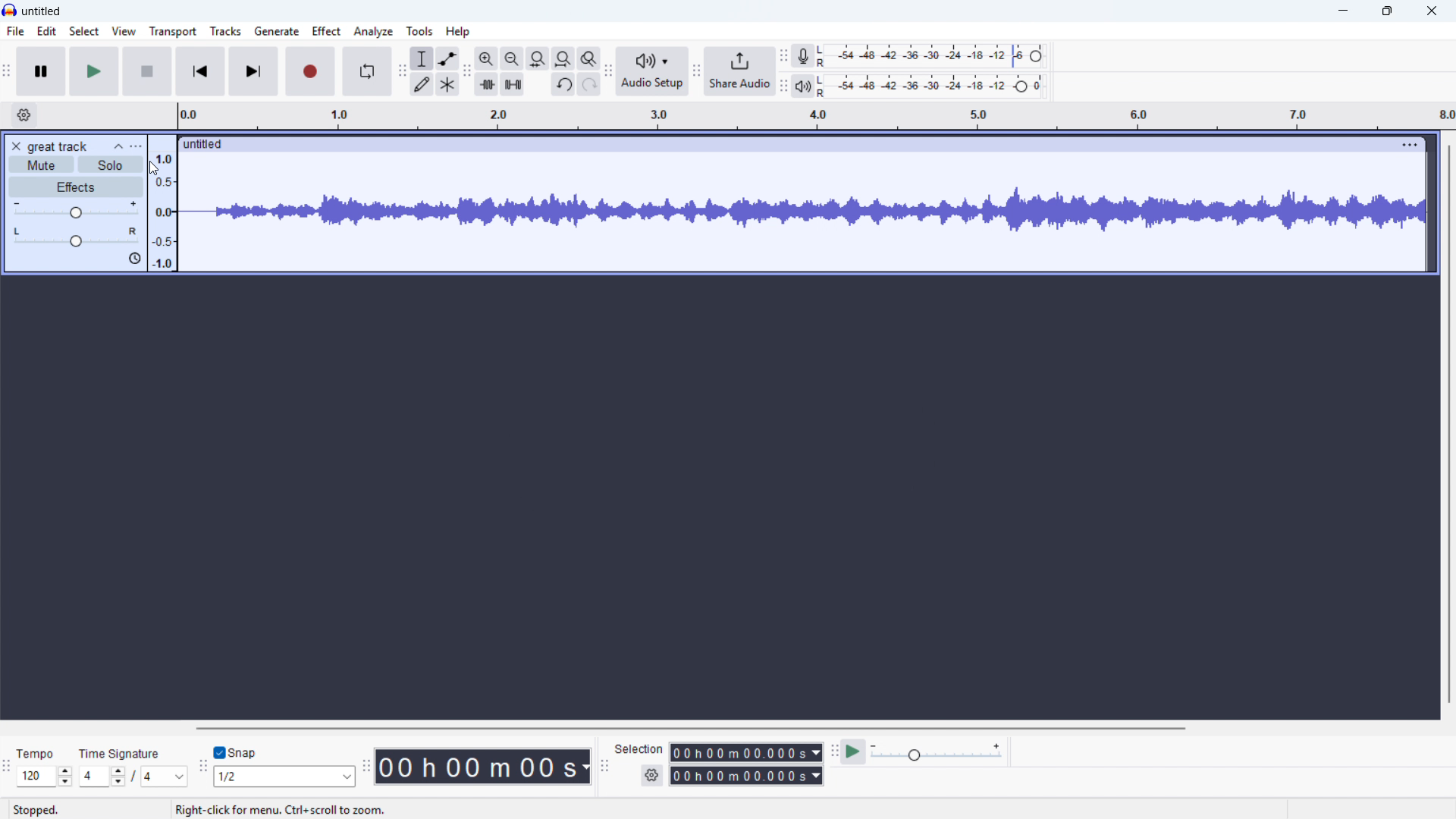 The image size is (1456, 819). I want to click on Zoom in , so click(487, 58).